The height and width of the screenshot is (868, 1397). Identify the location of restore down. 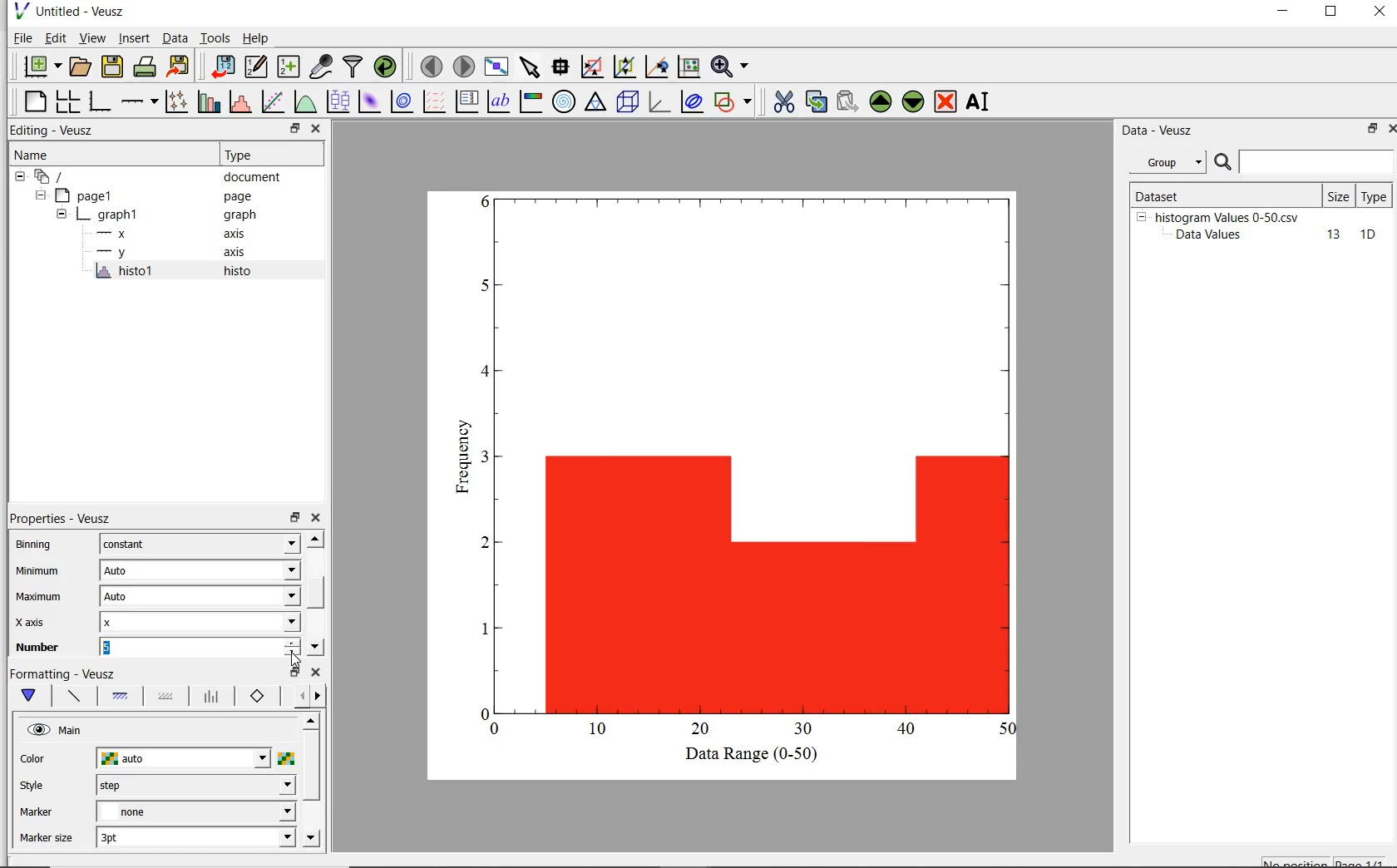
(294, 129).